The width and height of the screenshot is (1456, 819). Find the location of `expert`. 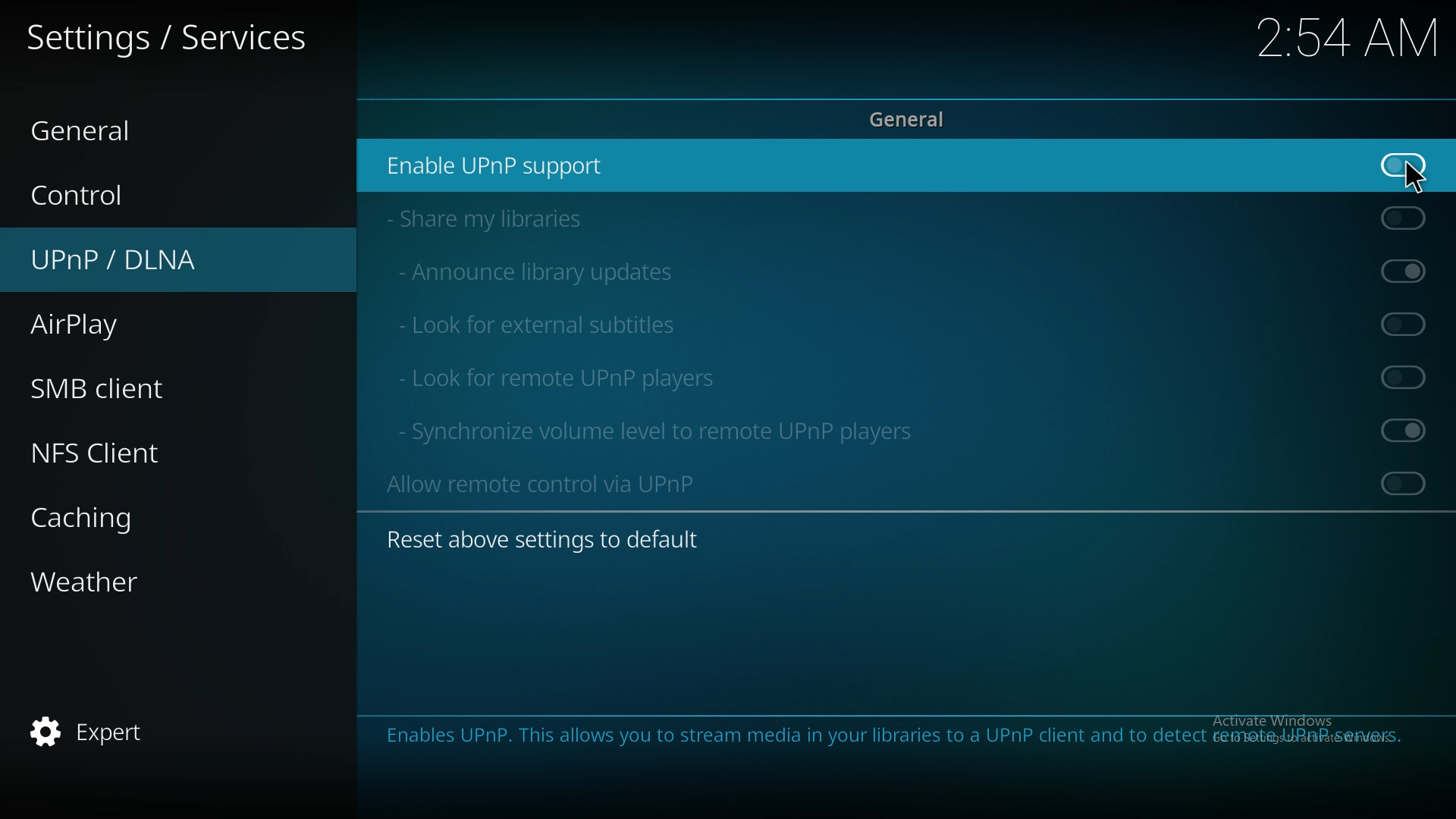

expert is located at coordinates (98, 735).